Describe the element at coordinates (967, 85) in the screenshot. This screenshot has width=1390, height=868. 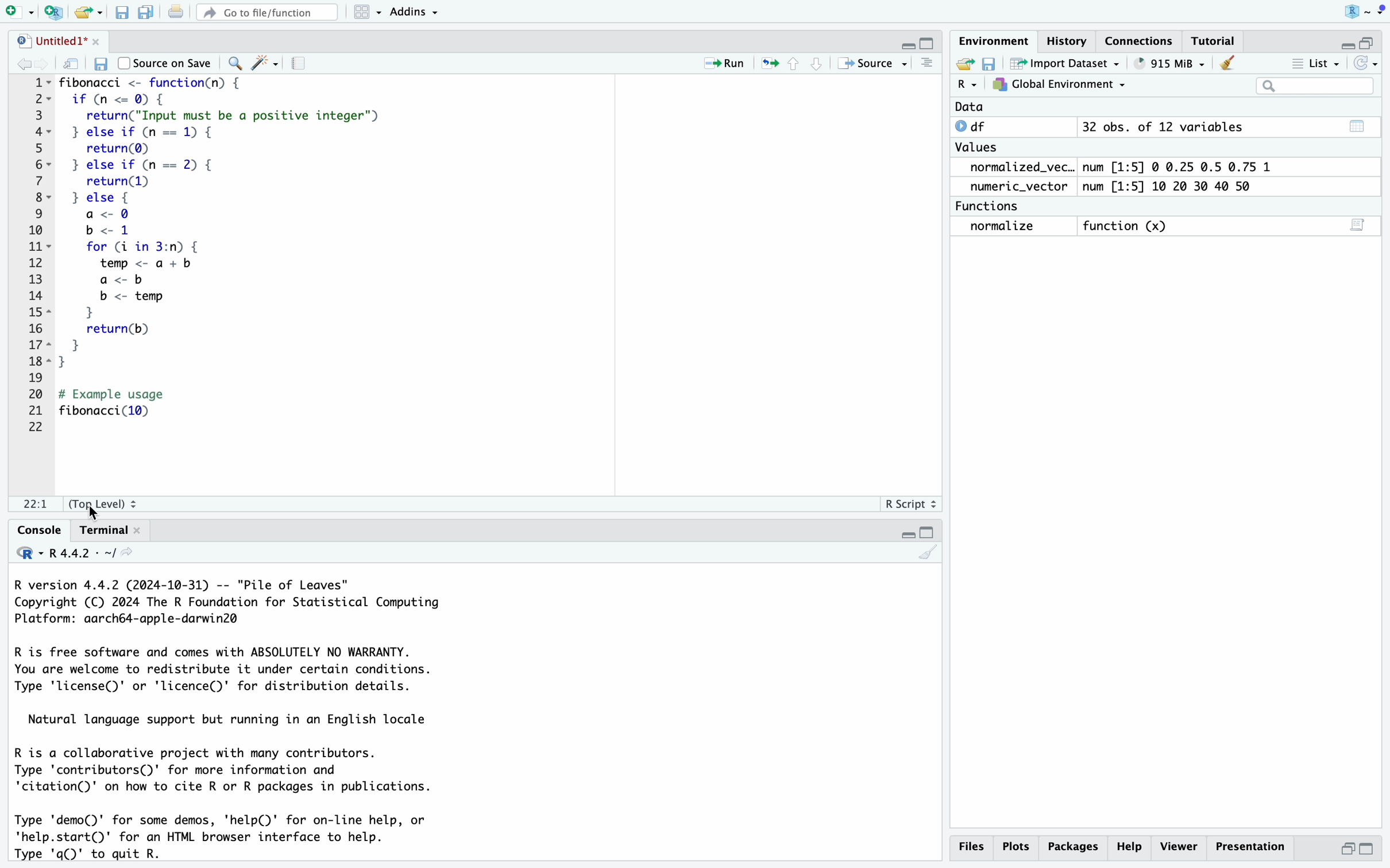
I see `select language` at that location.